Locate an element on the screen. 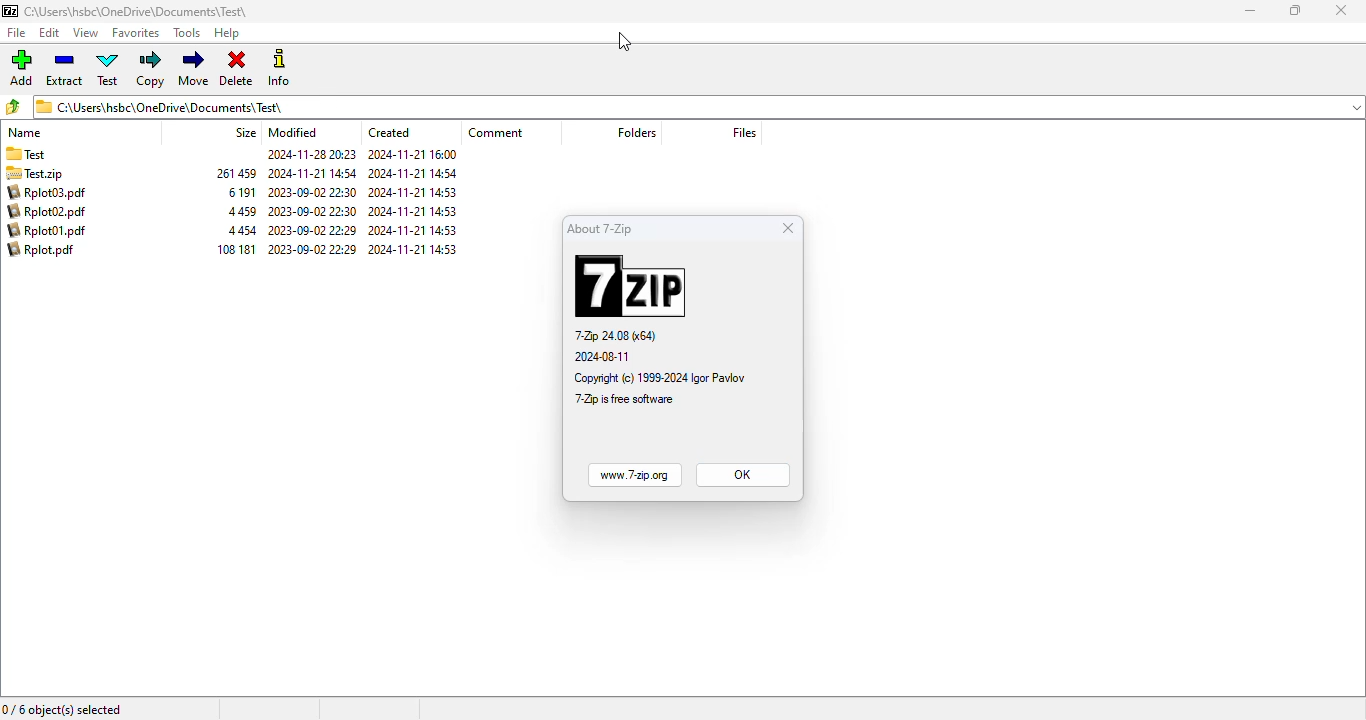  copy is located at coordinates (151, 69).